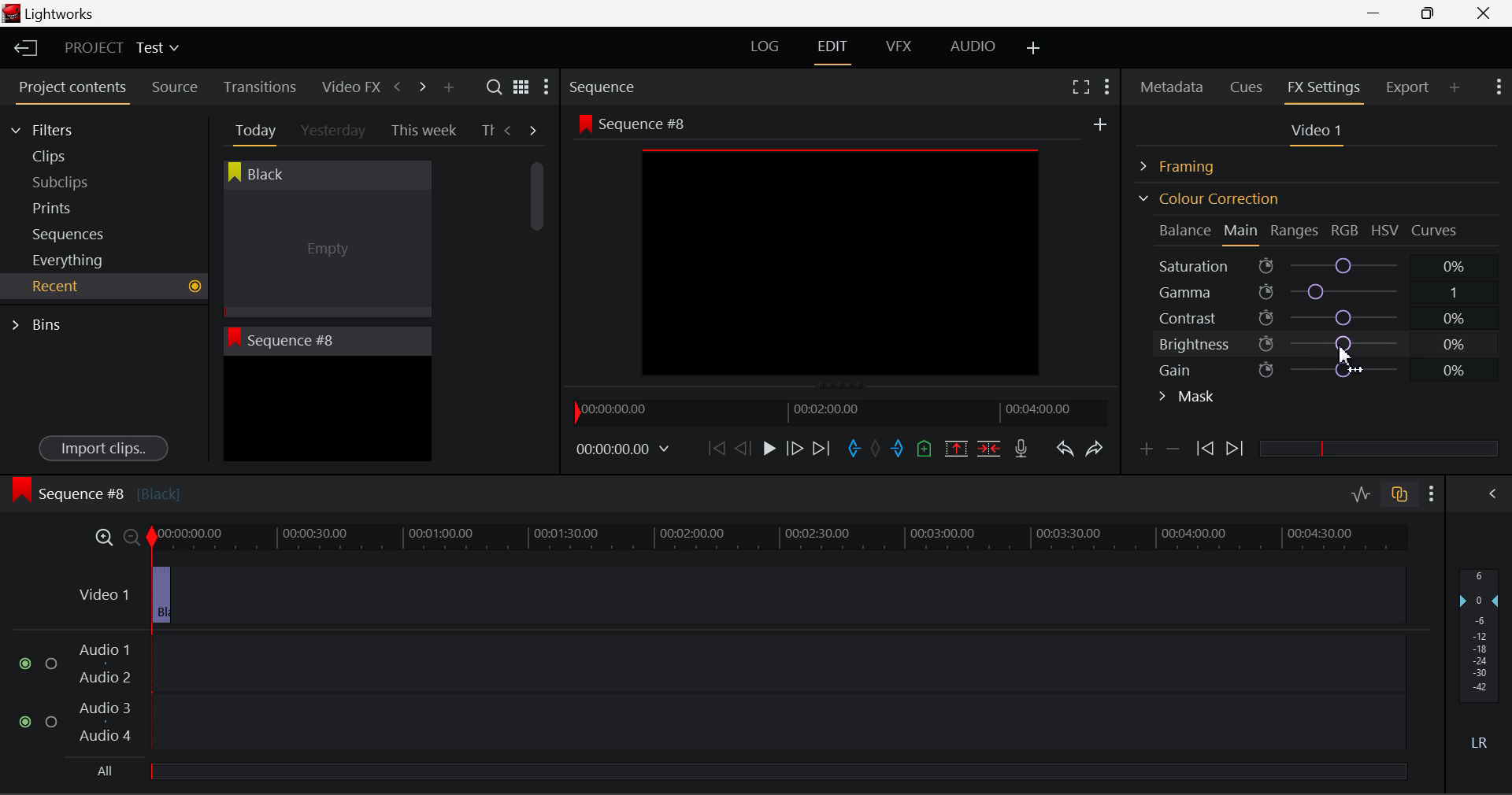  I want to click on Window Title, so click(49, 15).